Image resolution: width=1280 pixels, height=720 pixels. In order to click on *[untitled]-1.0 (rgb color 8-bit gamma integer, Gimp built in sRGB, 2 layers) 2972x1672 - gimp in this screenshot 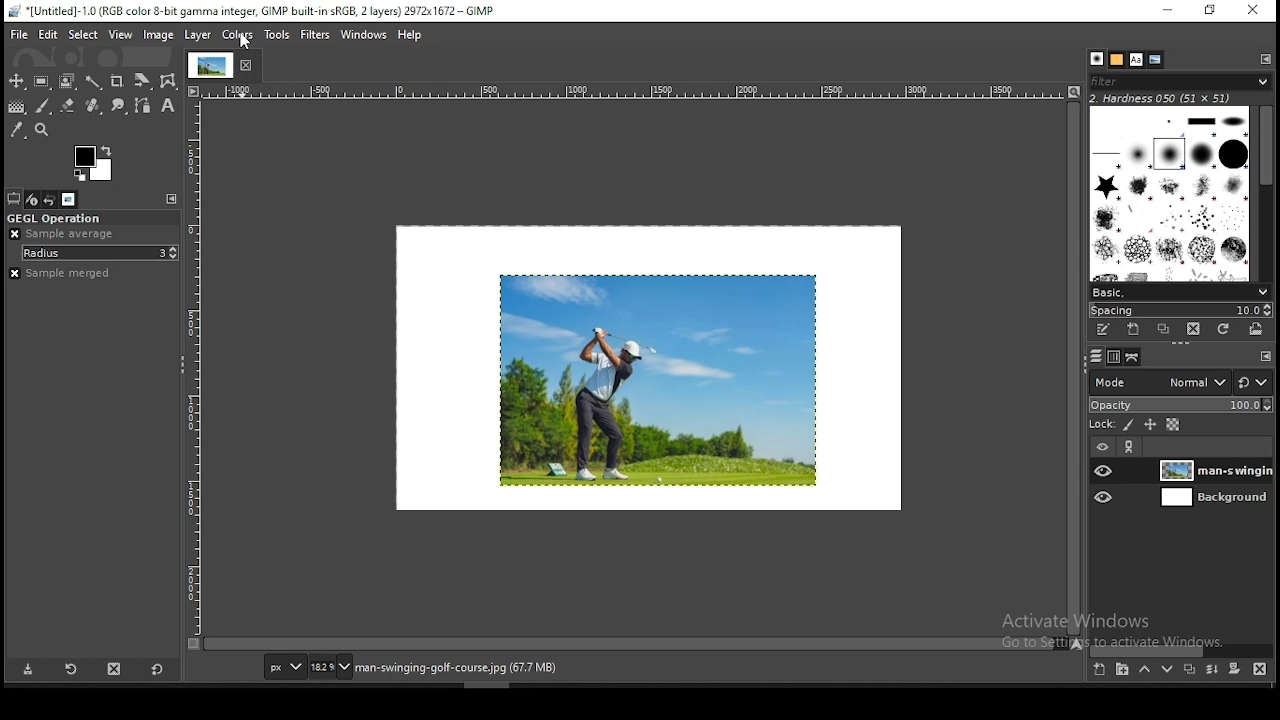, I will do `click(257, 12)`.